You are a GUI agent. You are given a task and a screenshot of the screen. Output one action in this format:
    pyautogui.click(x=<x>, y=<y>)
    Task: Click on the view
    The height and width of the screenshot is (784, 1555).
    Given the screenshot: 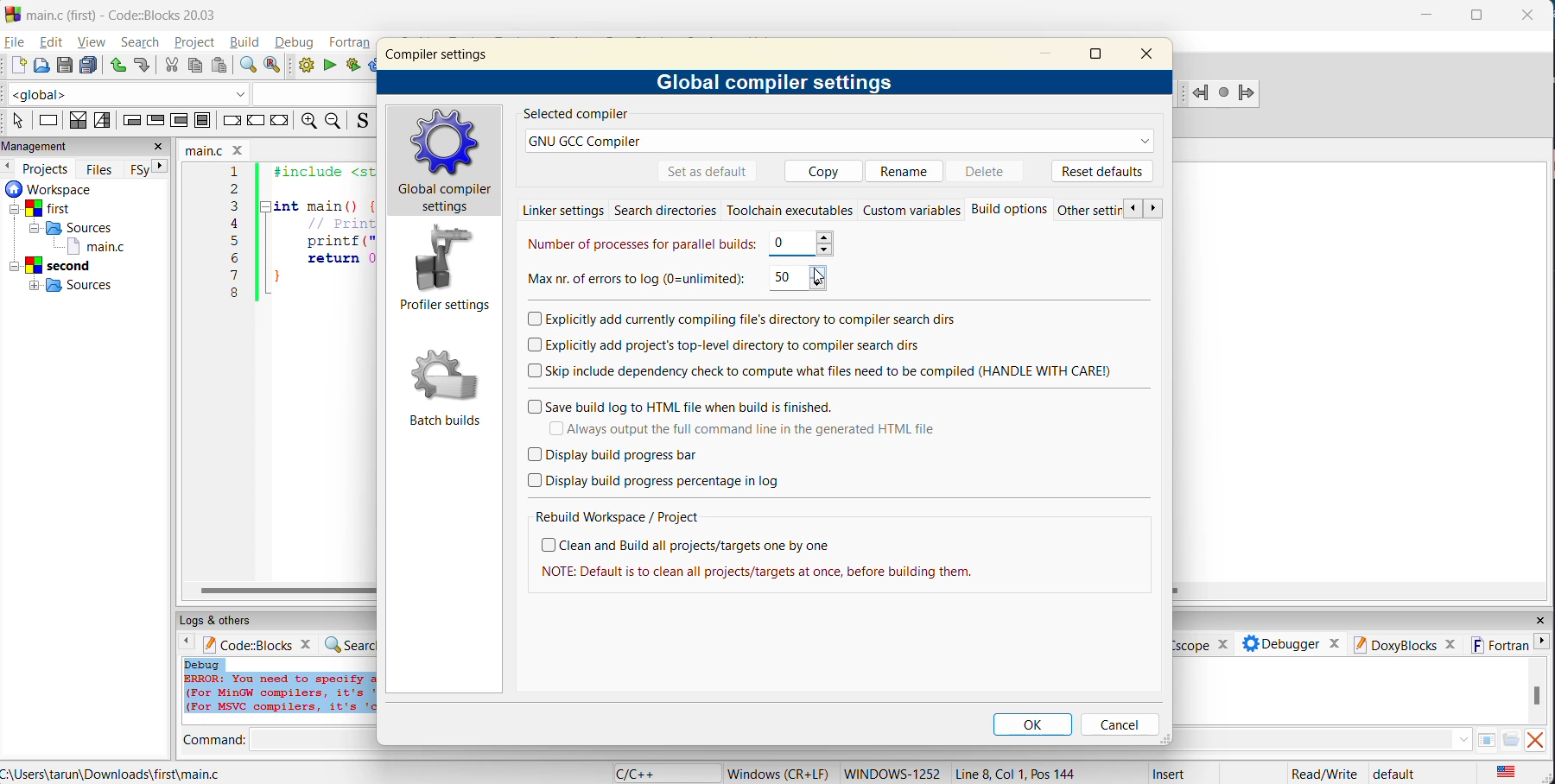 What is the action you would take?
    pyautogui.click(x=91, y=41)
    